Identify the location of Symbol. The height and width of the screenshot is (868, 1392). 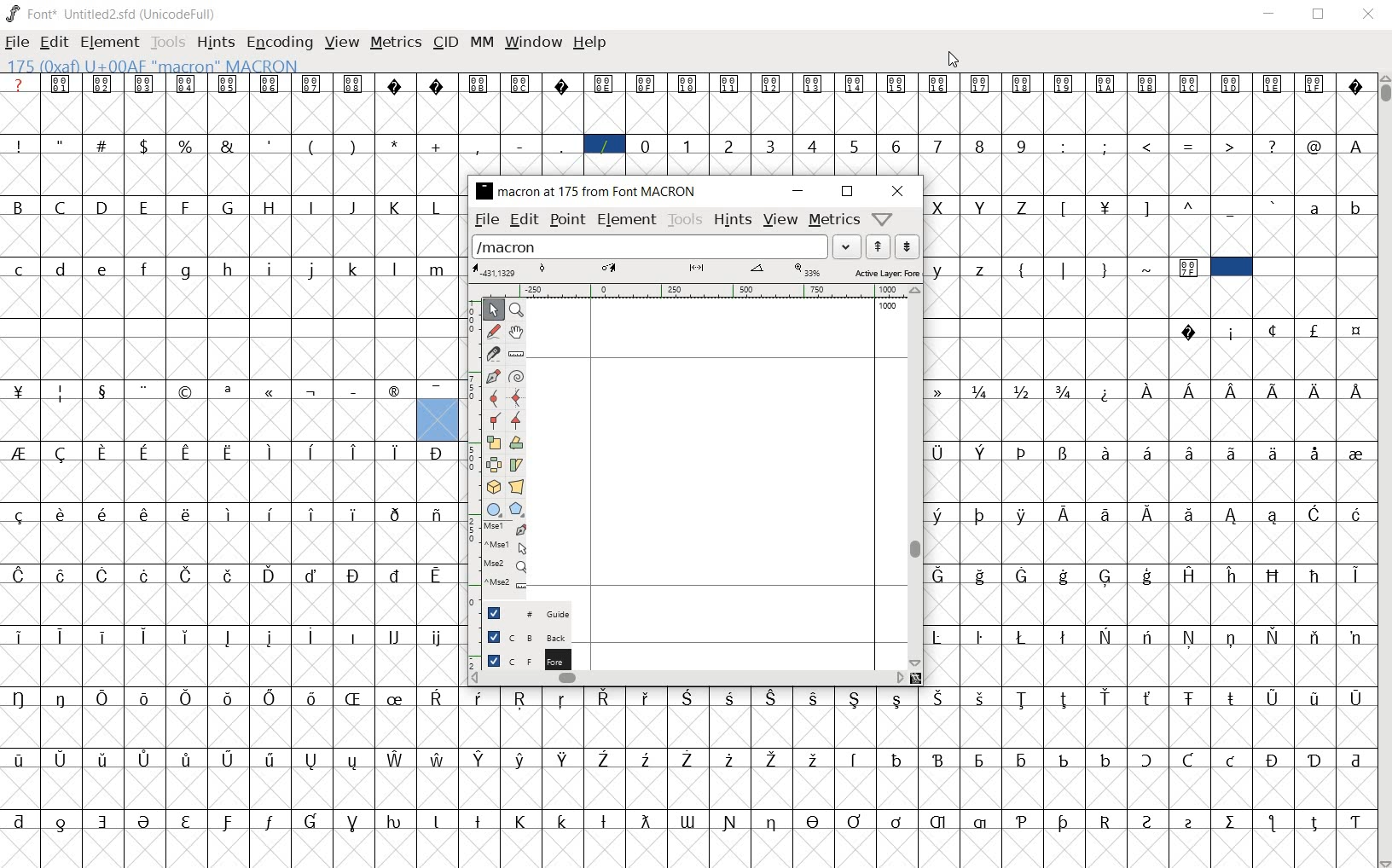
(1147, 575).